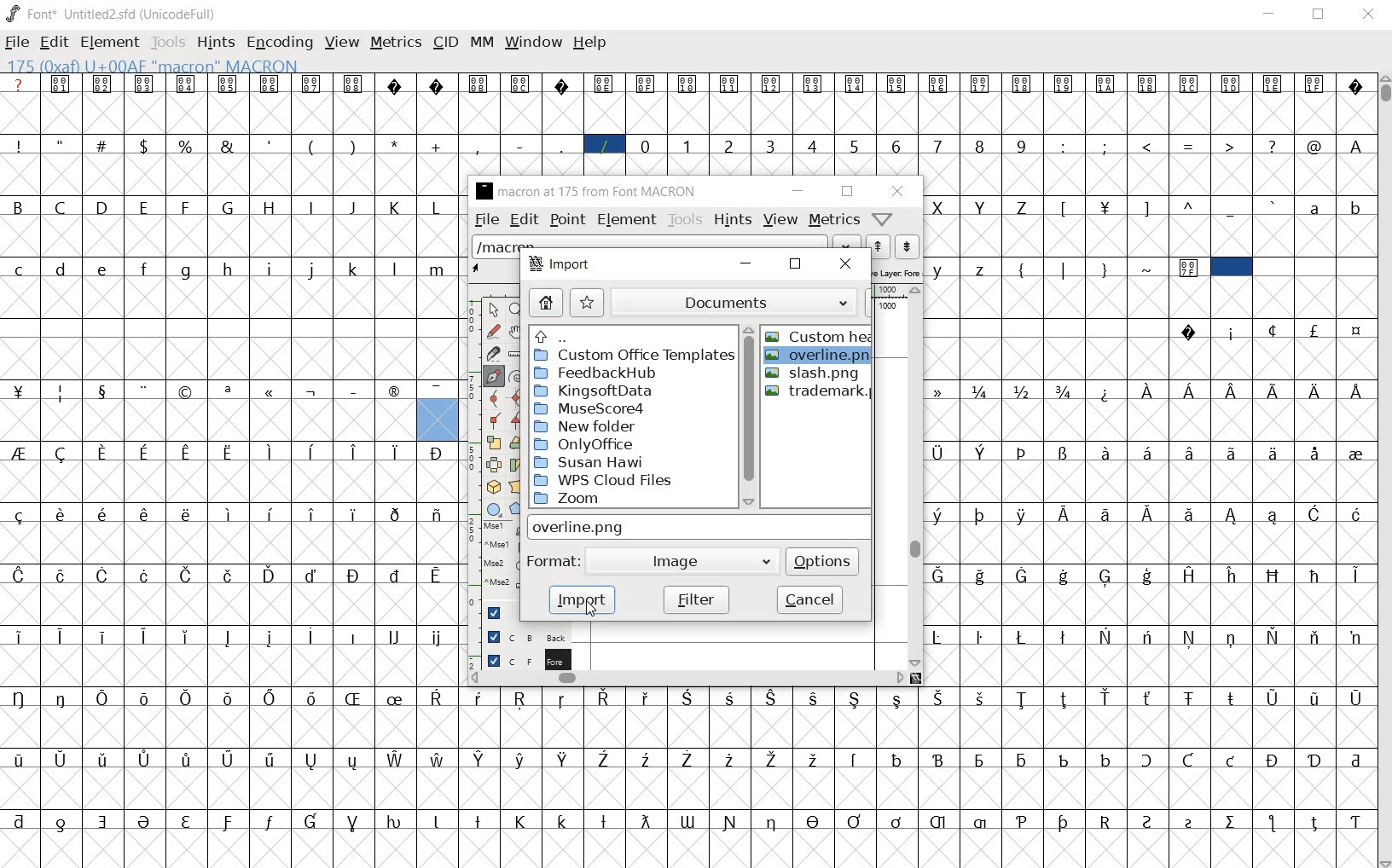 The height and width of the screenshot is (868, 1392). I want to click on Symbol, so click(1232, 333).